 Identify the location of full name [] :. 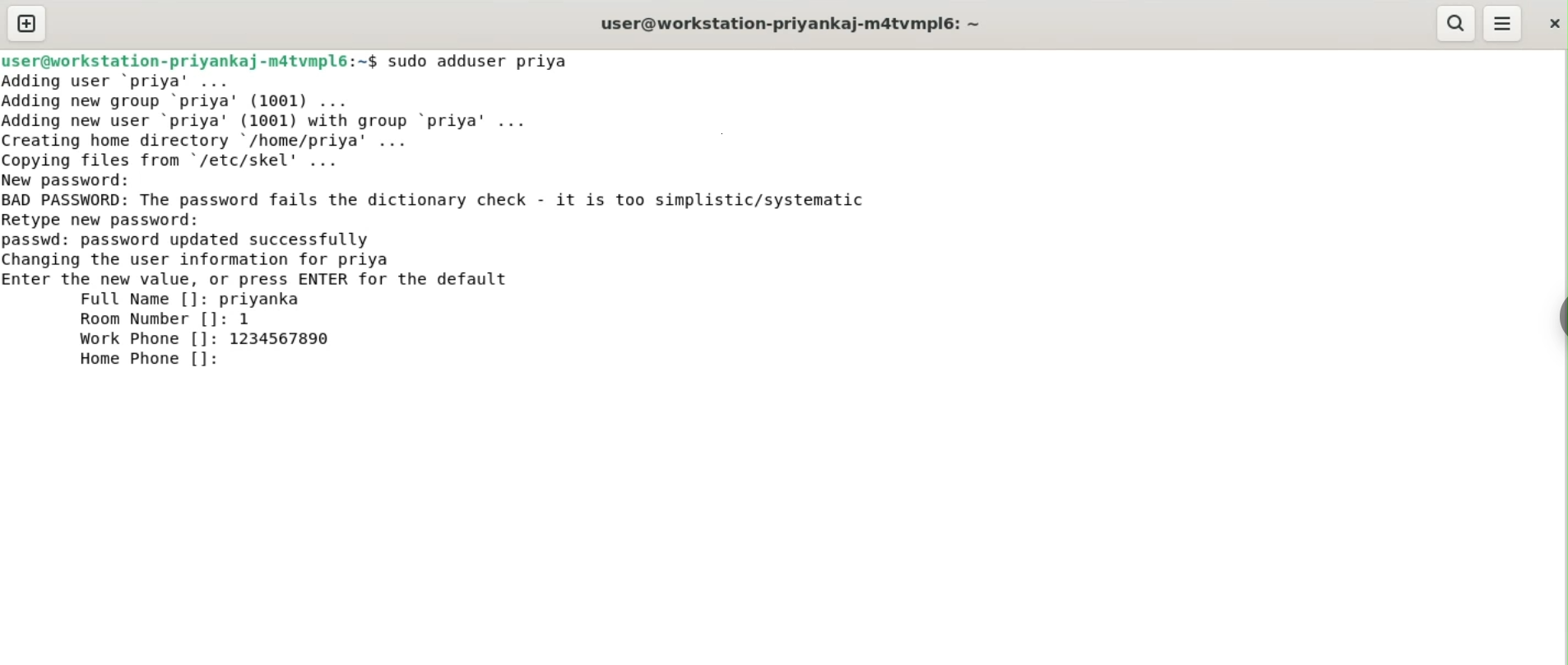
(109, 299).